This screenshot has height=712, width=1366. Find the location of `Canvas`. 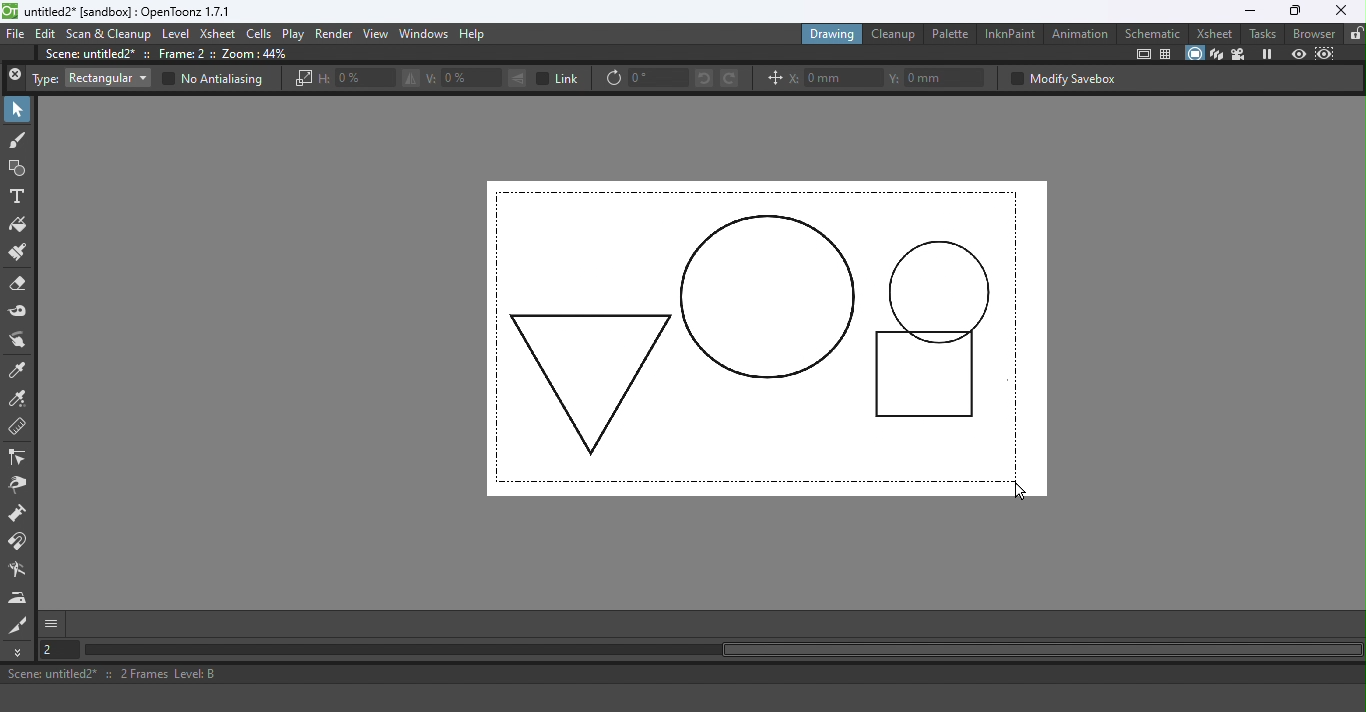

Canvas is located at coordinates (766, 339).